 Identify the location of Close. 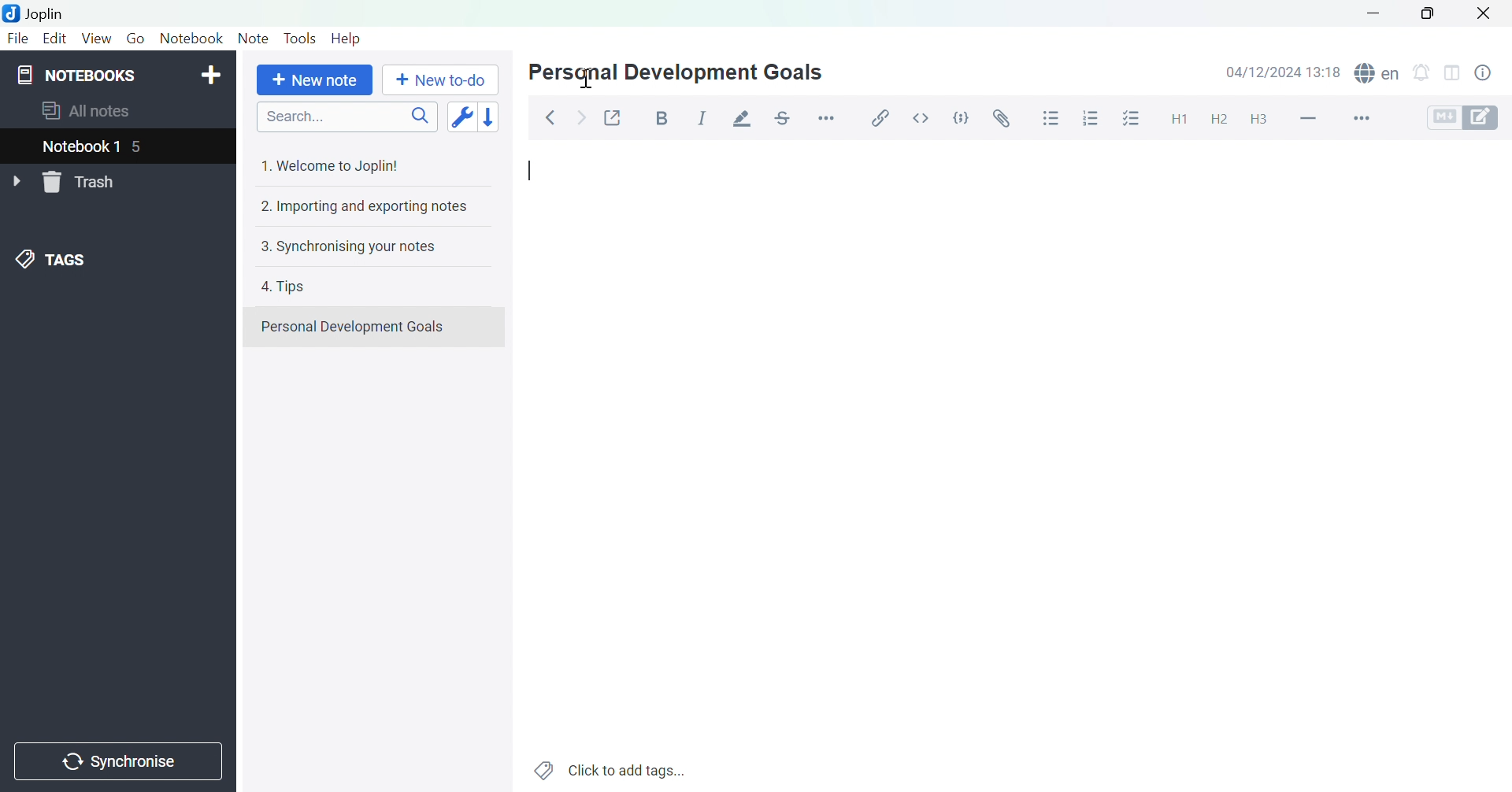
(1484, 13).